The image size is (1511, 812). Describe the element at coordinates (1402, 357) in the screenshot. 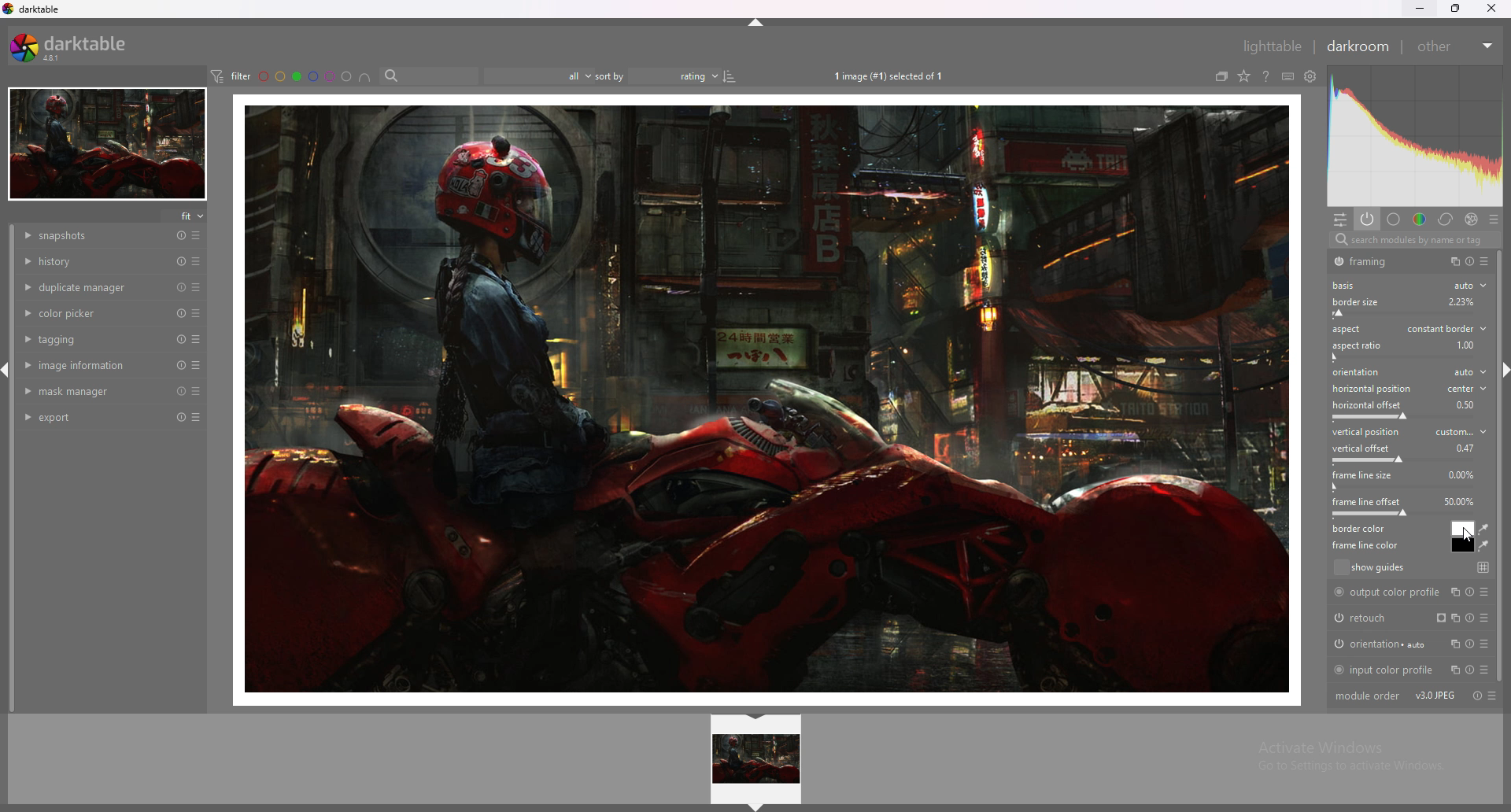

I see `aspect ratio bar` at that location.